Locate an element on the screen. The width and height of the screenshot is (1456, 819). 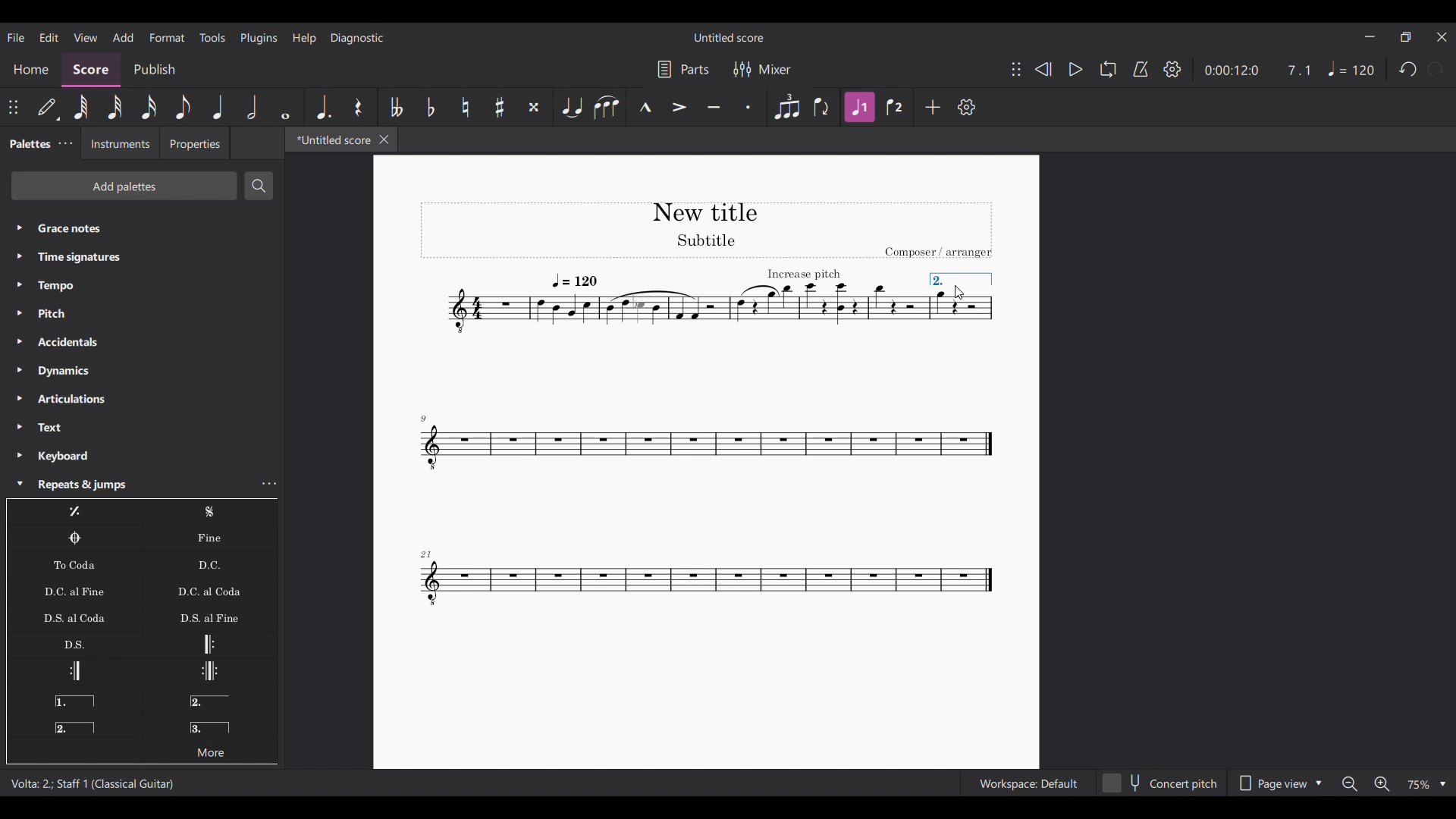
Parts settings is located at coordinates (684, 69).